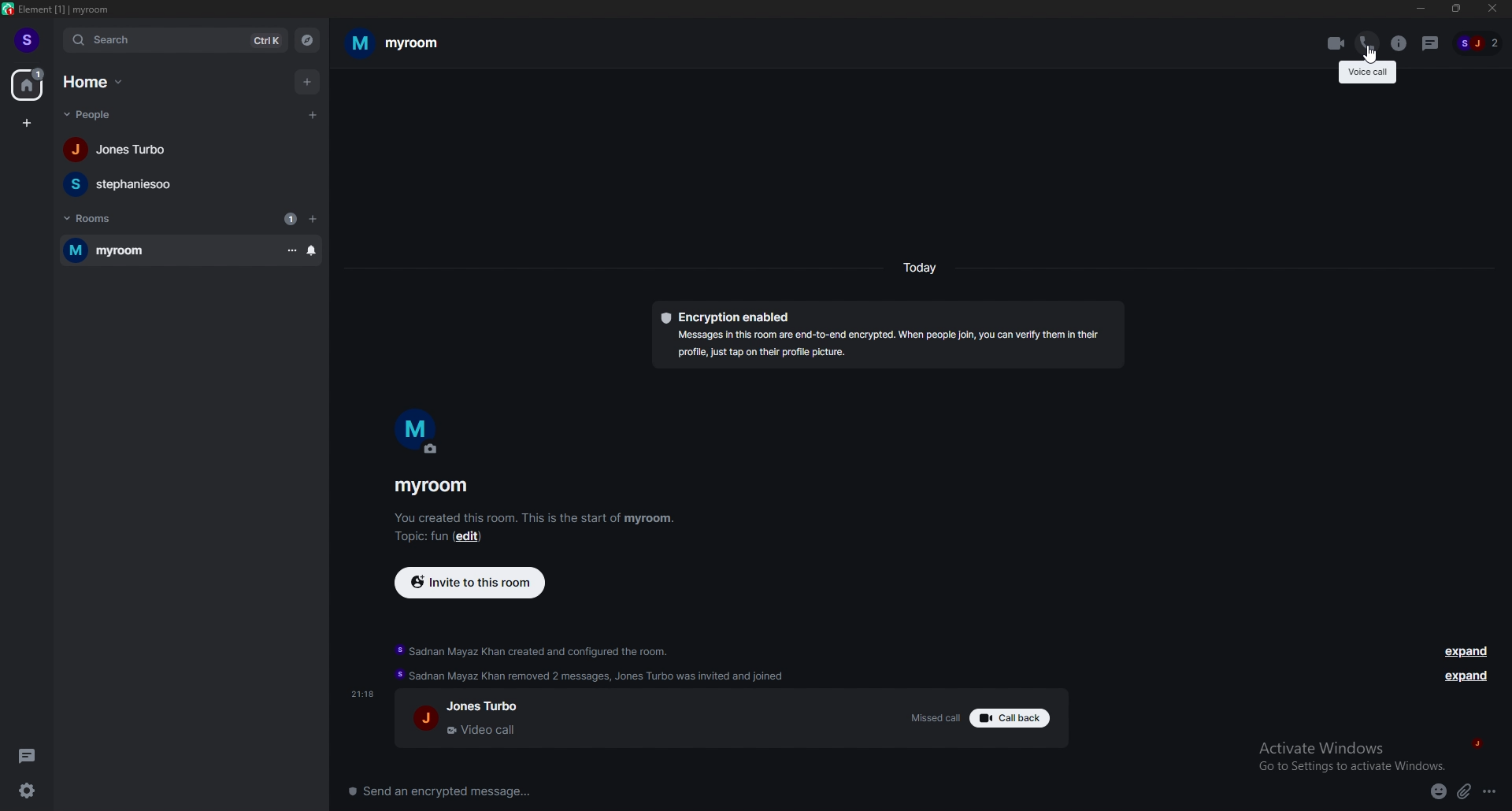 Image resolution: width=1512 pixels, height=811 pixels. I want to click on myroom, so click(163, 251).